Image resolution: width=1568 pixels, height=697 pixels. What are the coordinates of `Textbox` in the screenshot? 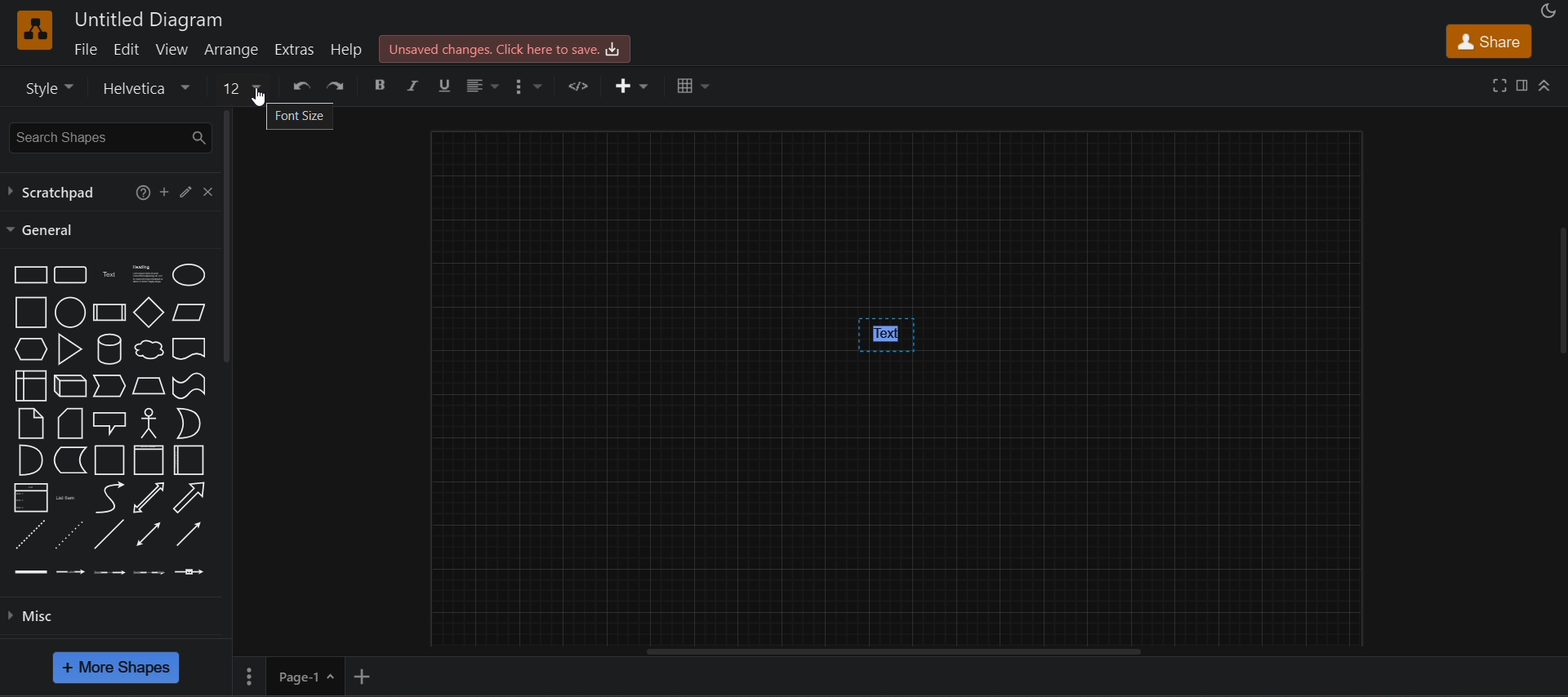 It's located at (149, 275).